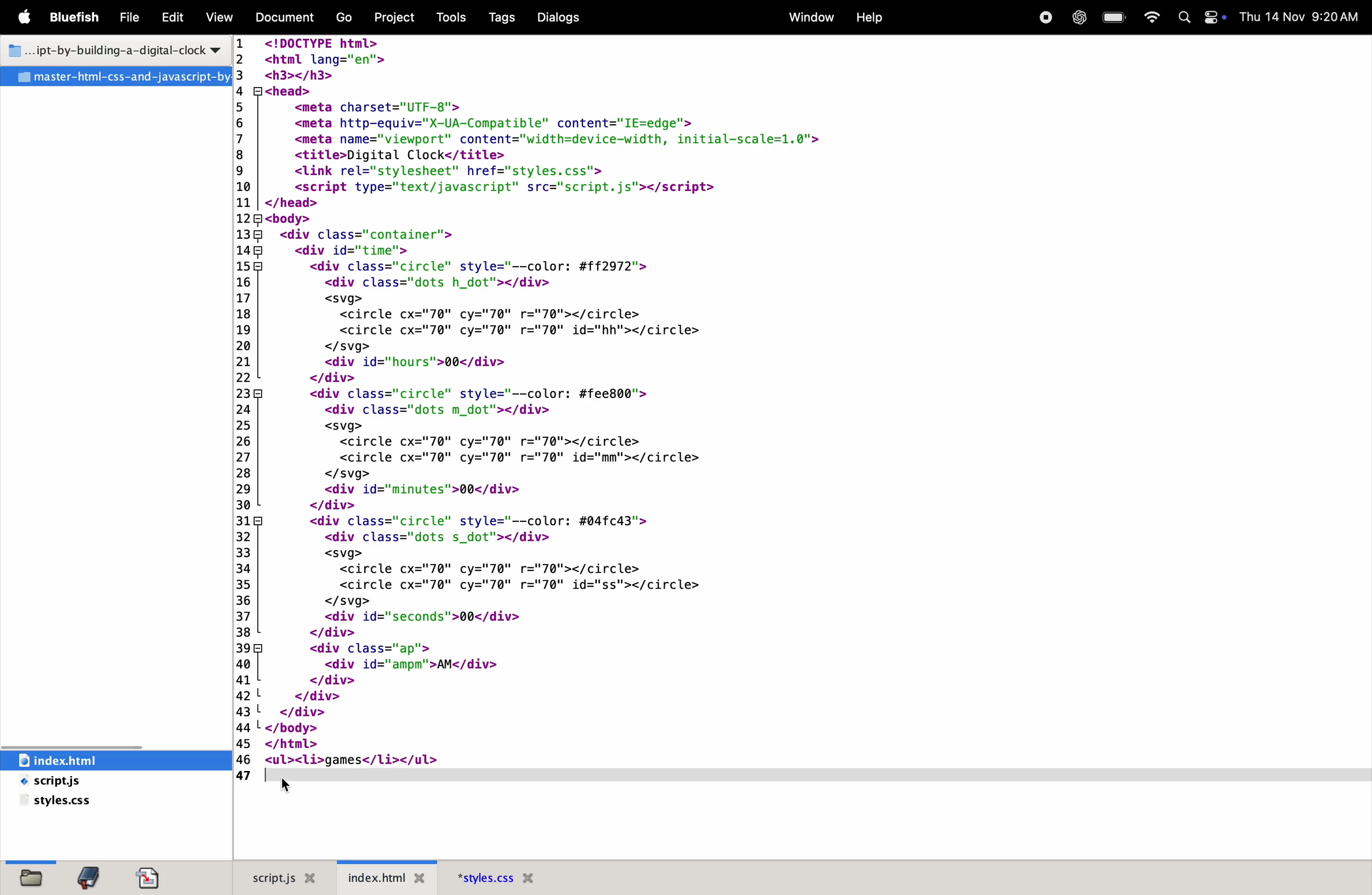  Describe the element at coordinates (1151, 18) in the screenshot. I see `wifi` at that location.